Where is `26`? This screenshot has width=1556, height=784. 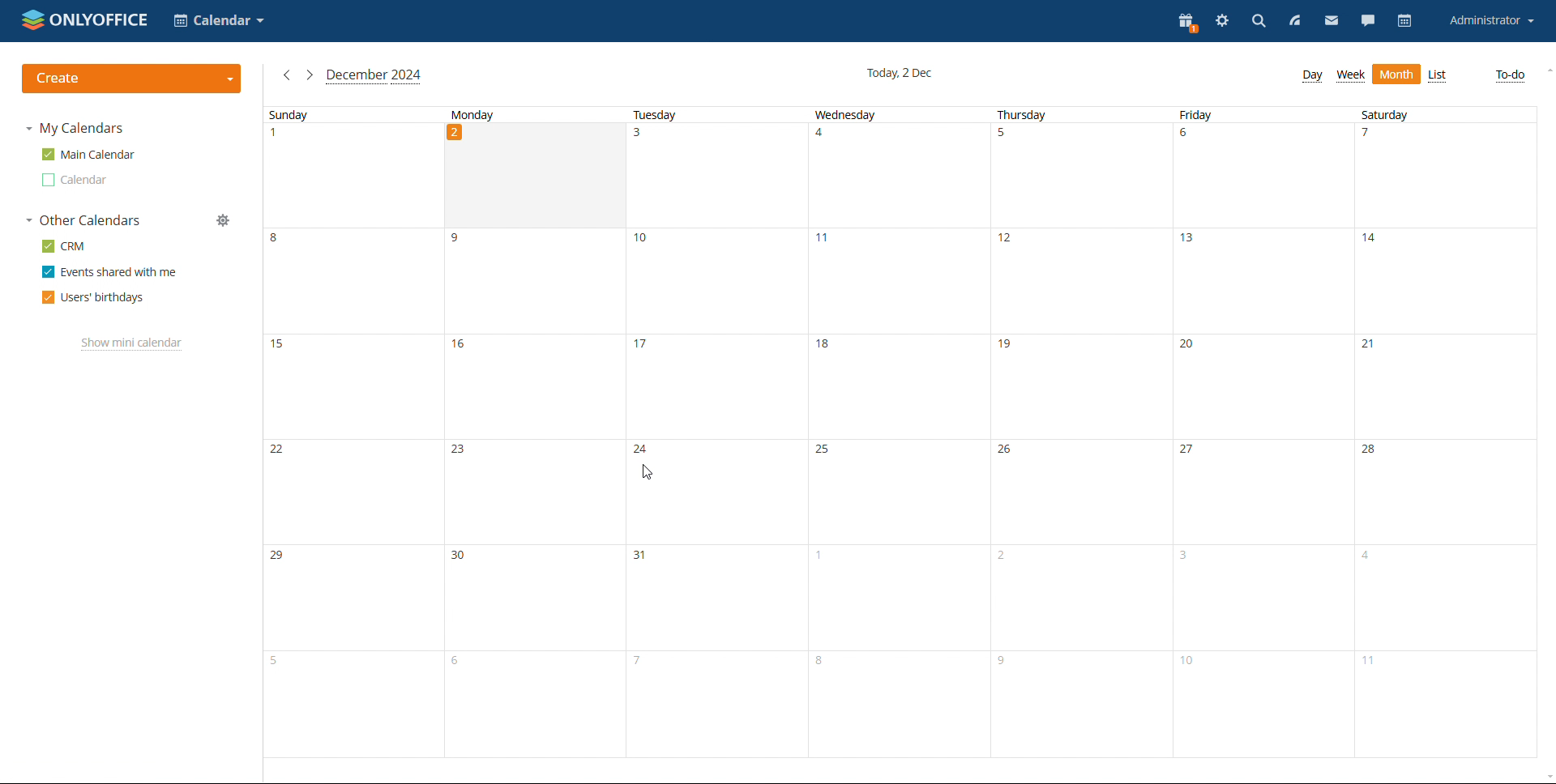
26 is located at coordinates (1008, 452).